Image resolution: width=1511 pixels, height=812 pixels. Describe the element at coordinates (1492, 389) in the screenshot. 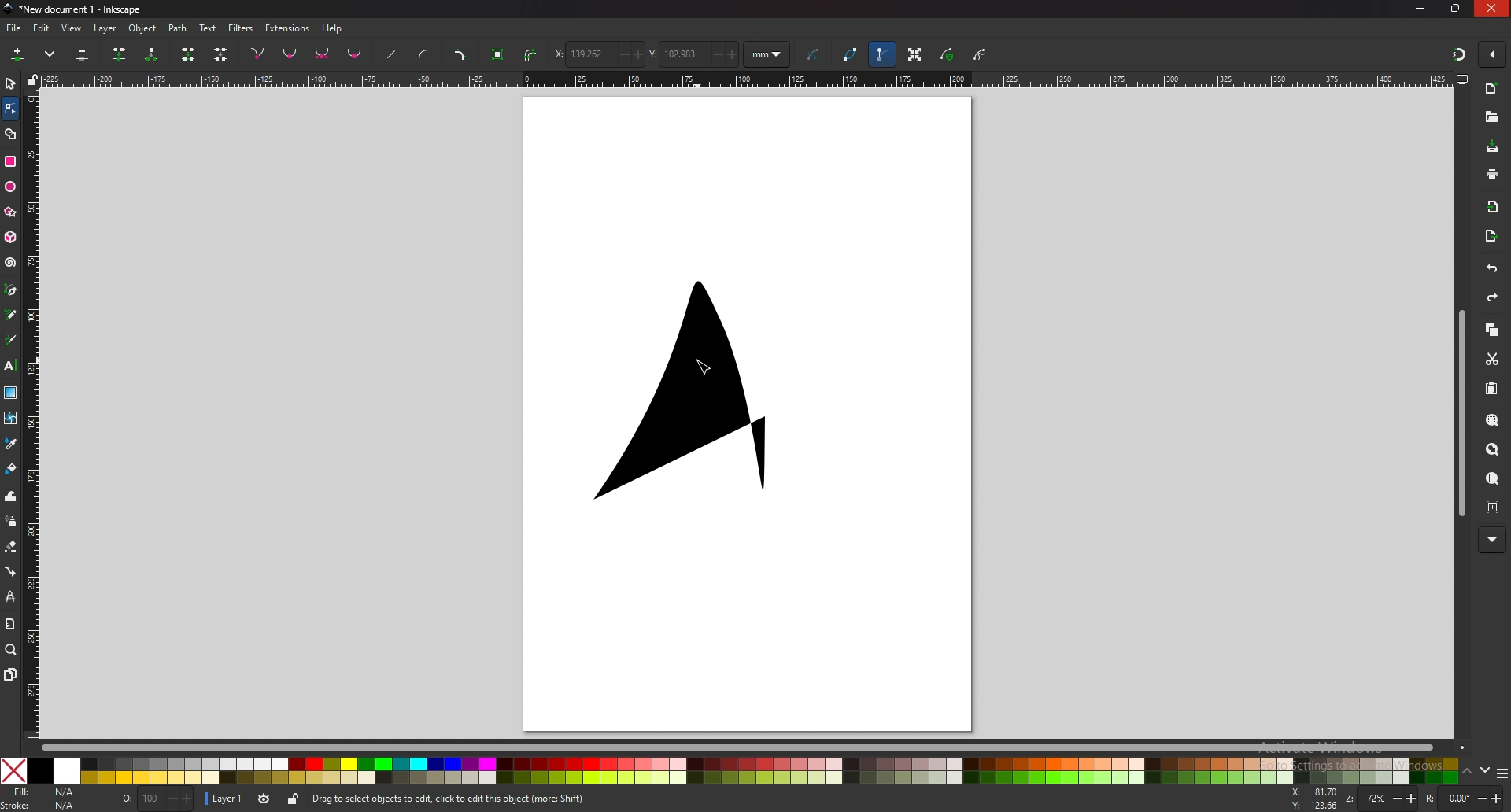

I see `paste` at that location.